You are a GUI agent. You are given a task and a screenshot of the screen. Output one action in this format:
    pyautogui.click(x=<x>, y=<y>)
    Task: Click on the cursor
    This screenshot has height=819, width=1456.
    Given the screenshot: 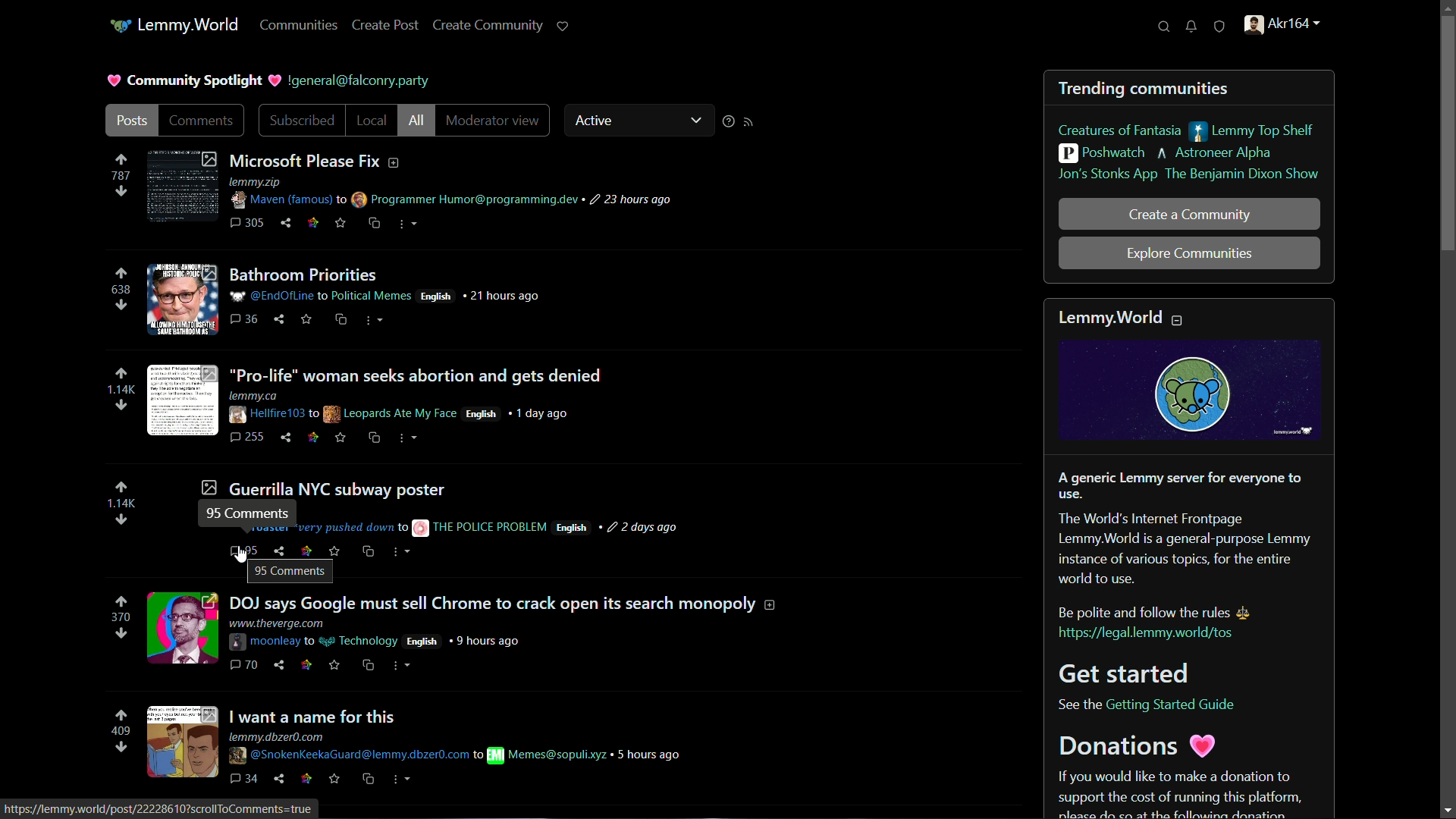 What is the action you would take?
    pyautogui.click(x=239, y=554)
    